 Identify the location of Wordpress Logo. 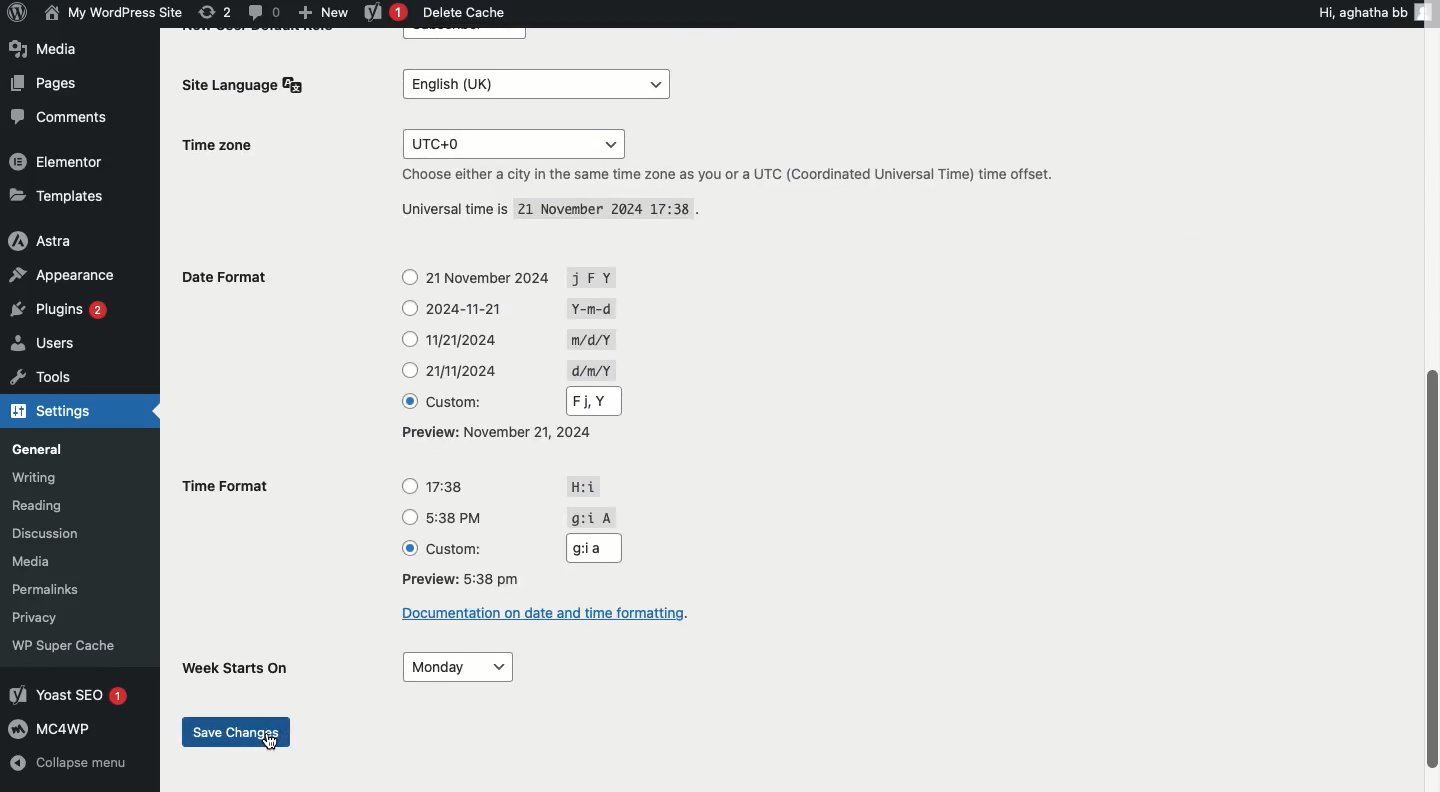
(15, 14).